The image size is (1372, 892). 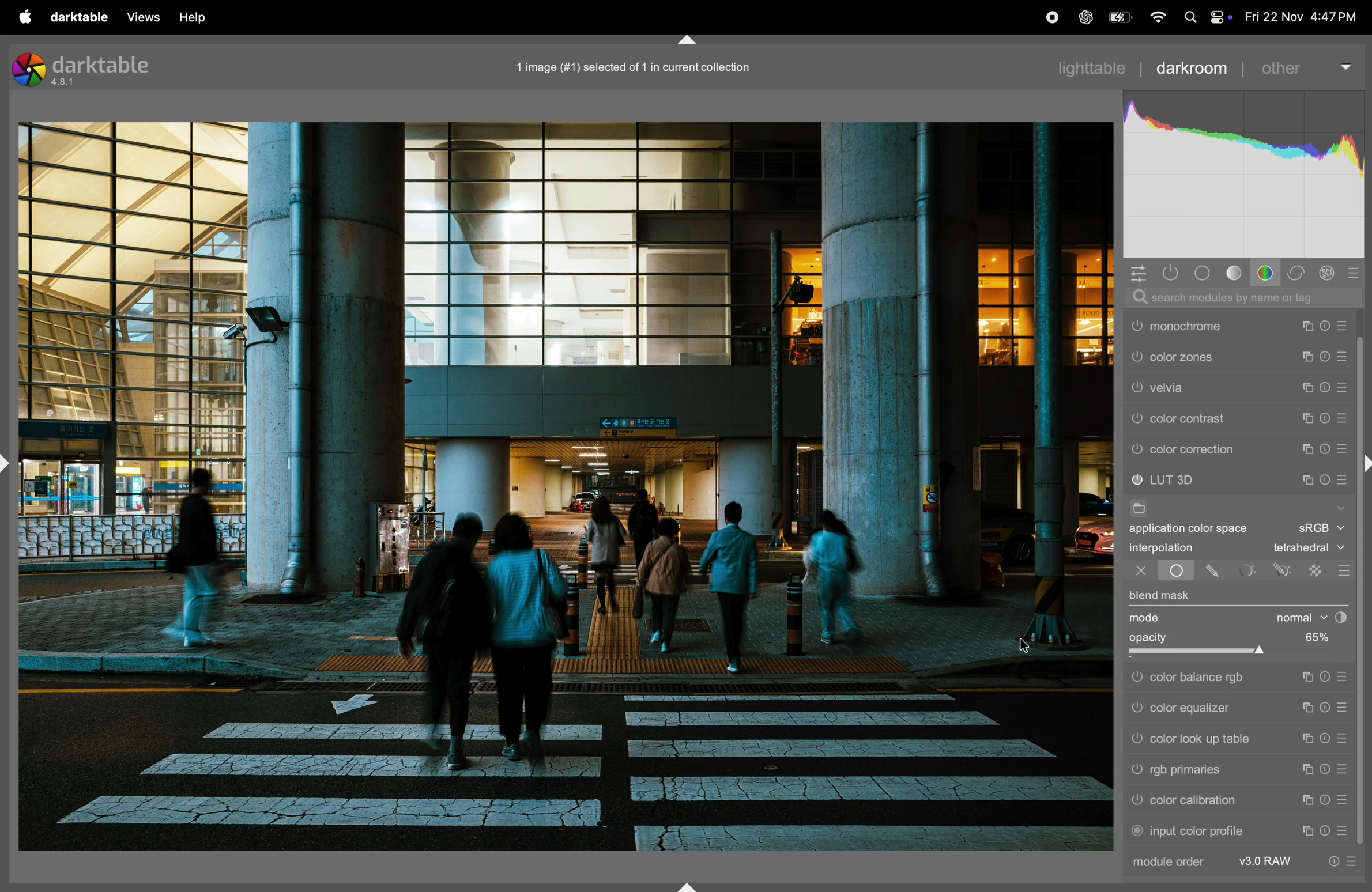 What do you see at coordinates (1209, 325) in the screenshot?
I see `out put color profiles` at bounding box center [1209, 325].